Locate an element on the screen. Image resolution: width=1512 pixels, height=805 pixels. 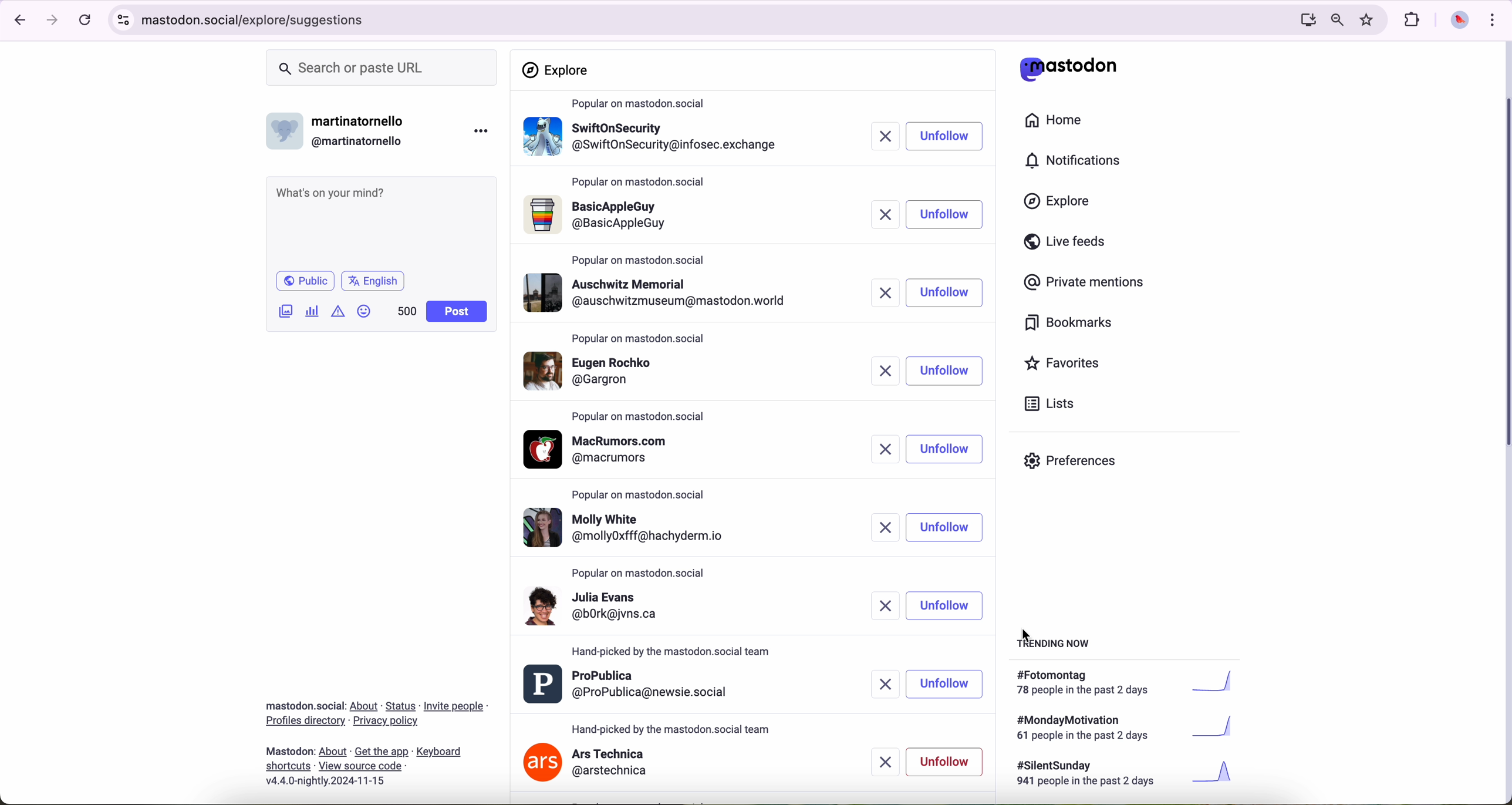
popular on mastodon.social is located at coordinates (643, 104).